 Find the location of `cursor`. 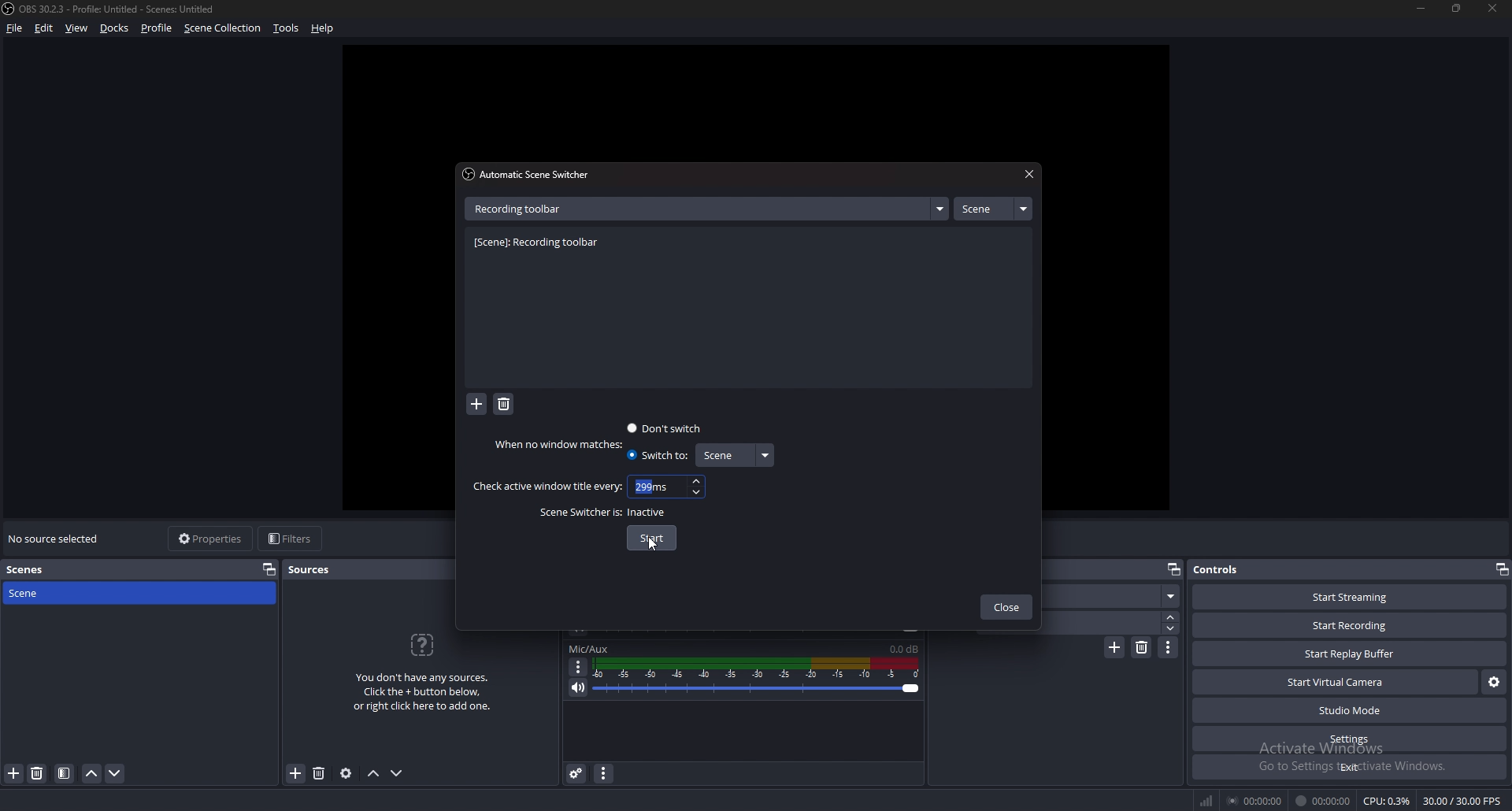

cursor is located at coordinates (651, 546).